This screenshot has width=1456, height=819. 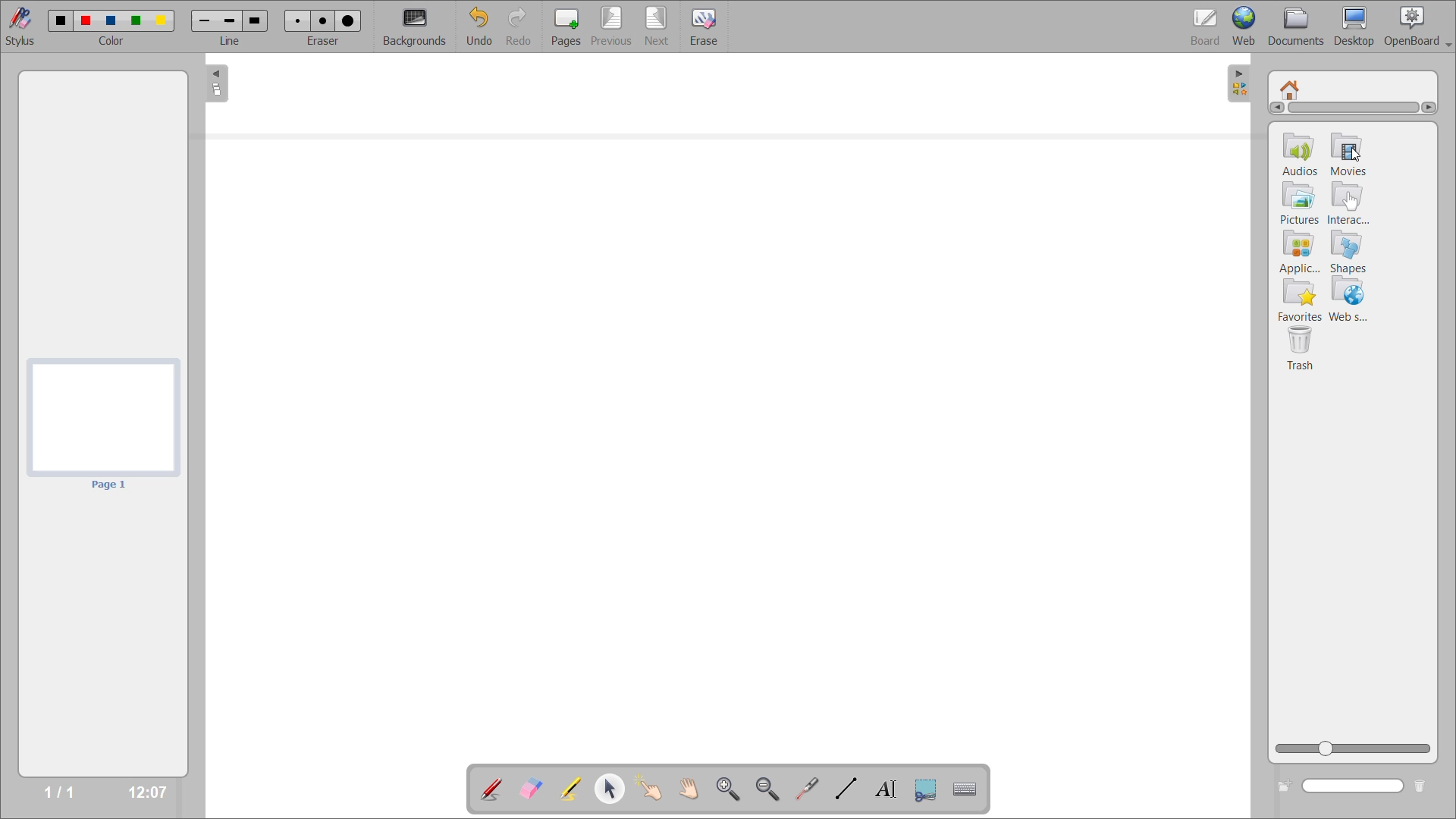 What do you see at coordinates (926, 789) in the screenshot?
I see `capture part of screen` at bounding box center [926, 789].